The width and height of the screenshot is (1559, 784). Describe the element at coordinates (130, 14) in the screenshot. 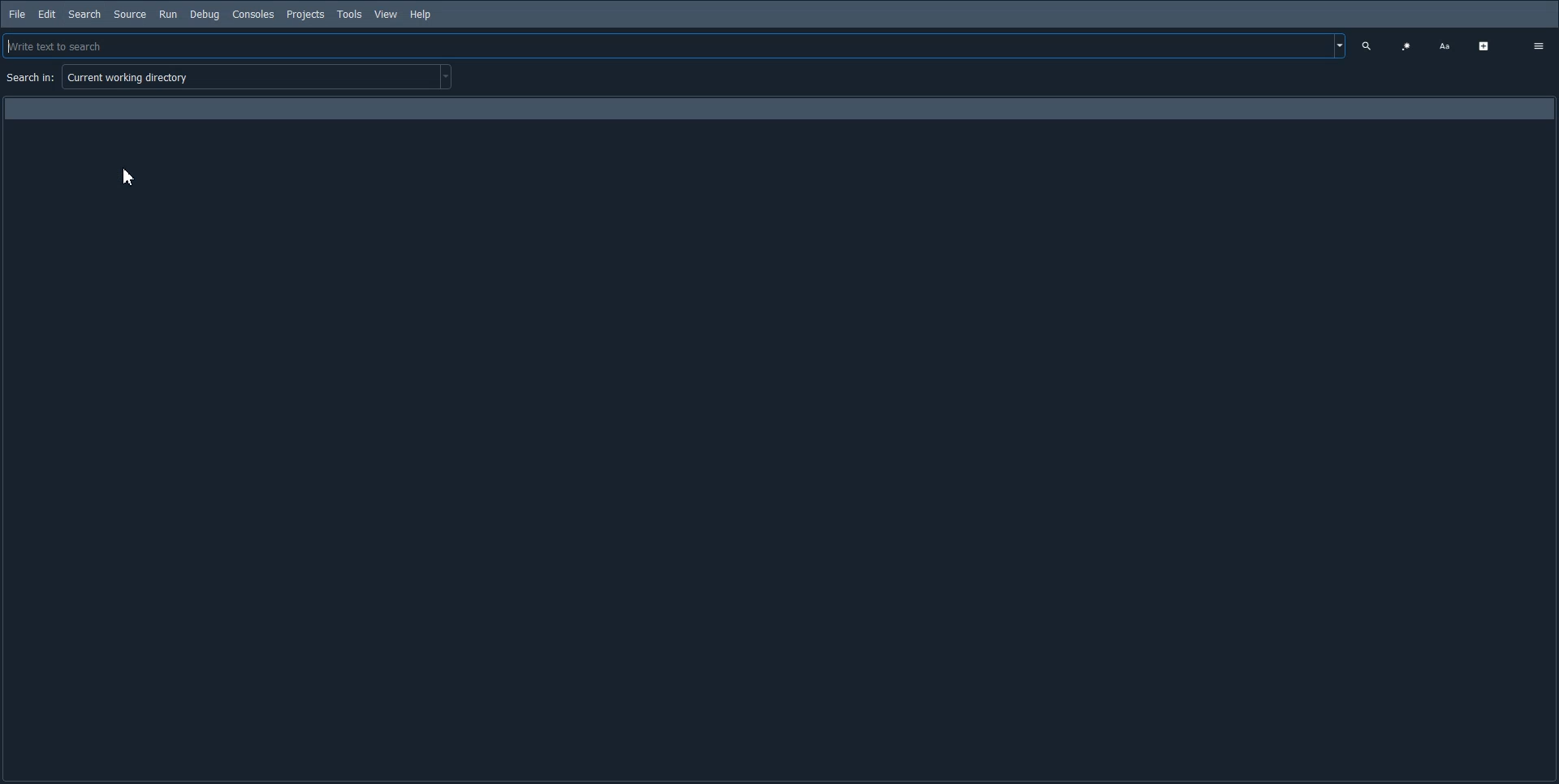

I see `Source` at that location.